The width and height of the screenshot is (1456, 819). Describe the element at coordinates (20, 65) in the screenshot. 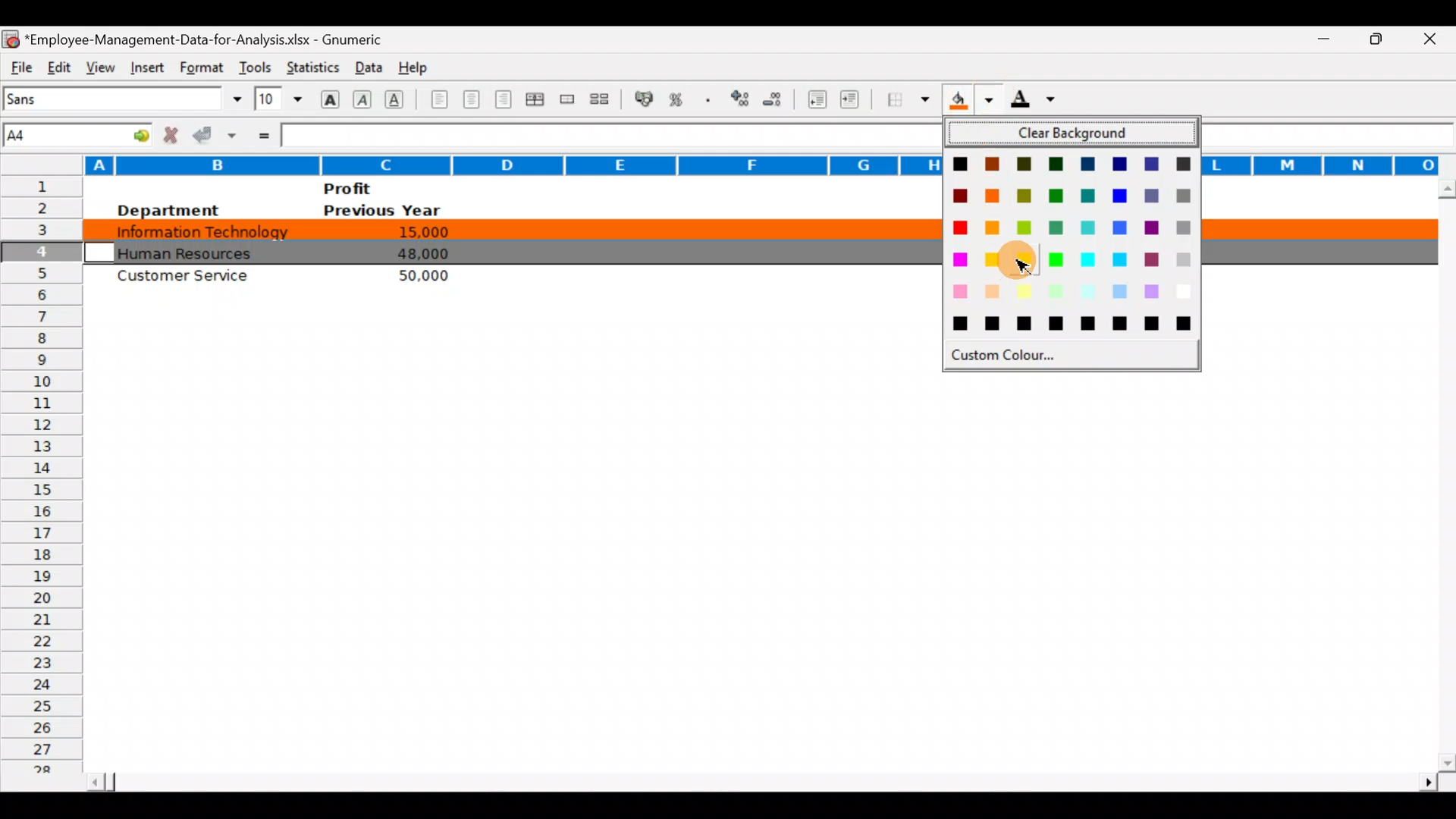

I see `File` at that location.